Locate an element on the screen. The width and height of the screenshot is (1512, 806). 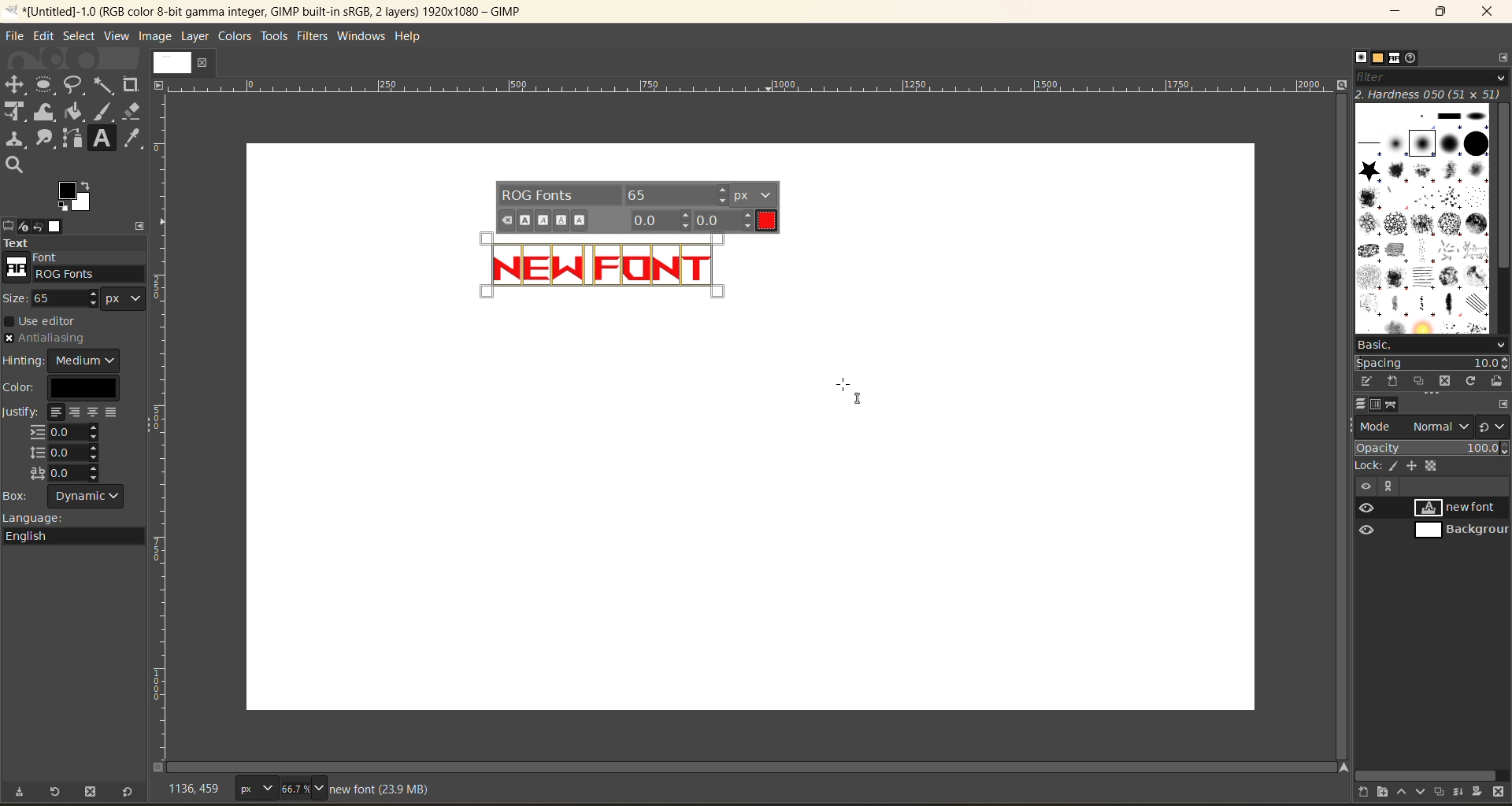
configure is located at coordinates (143, 224).